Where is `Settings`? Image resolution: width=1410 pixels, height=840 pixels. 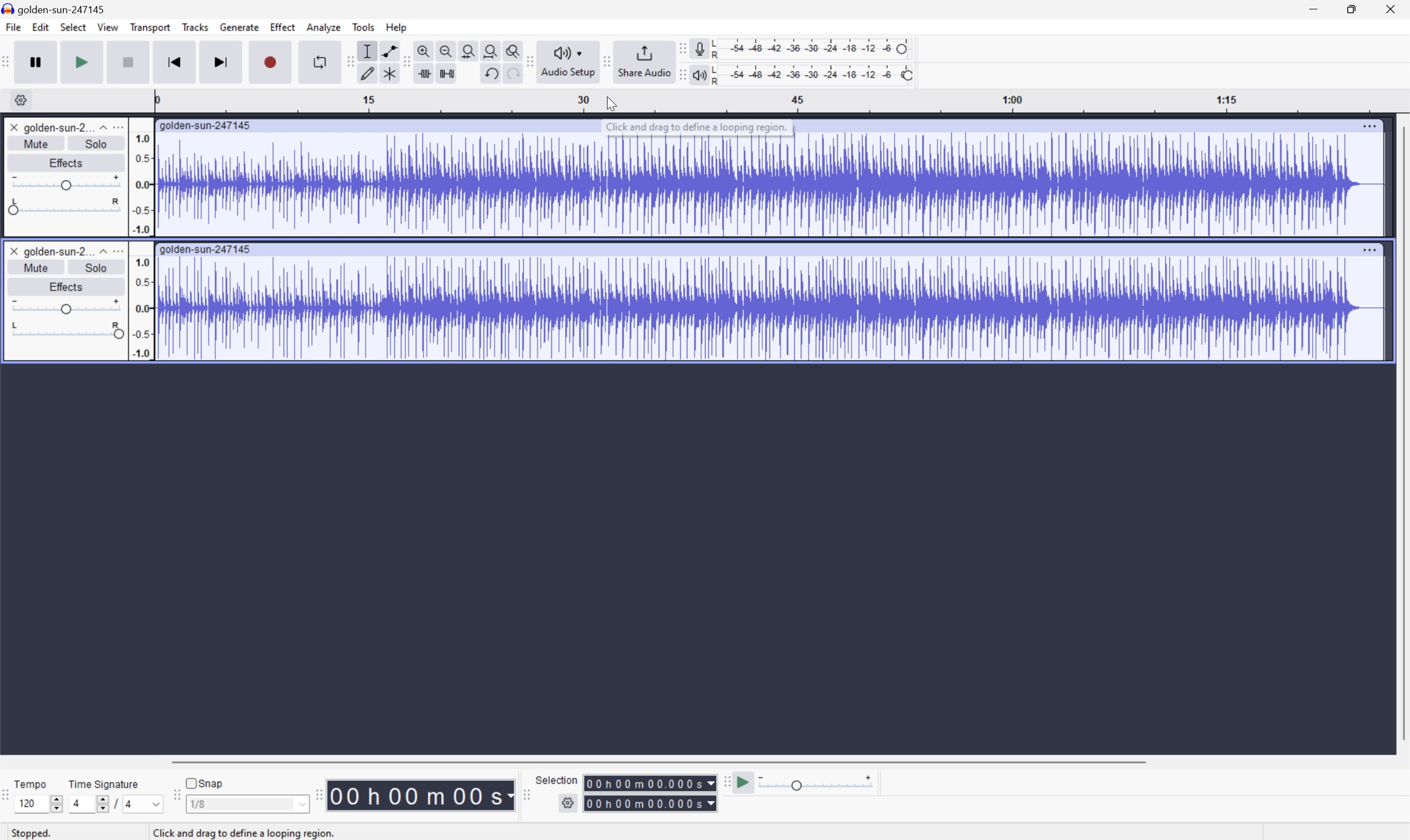
Settings is located at coordinates (18, 100).